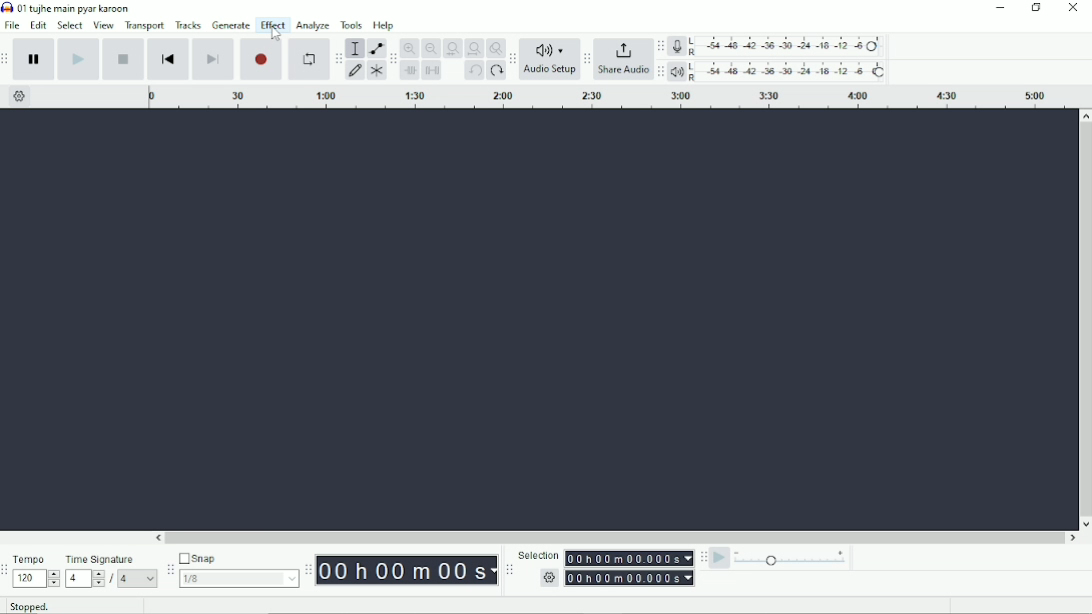 This screenshot has height=614, width=1092. What do you see at coordinates (170, 60) in the screenshot?
I see `Skip to start` at bounding box center [170, 60].